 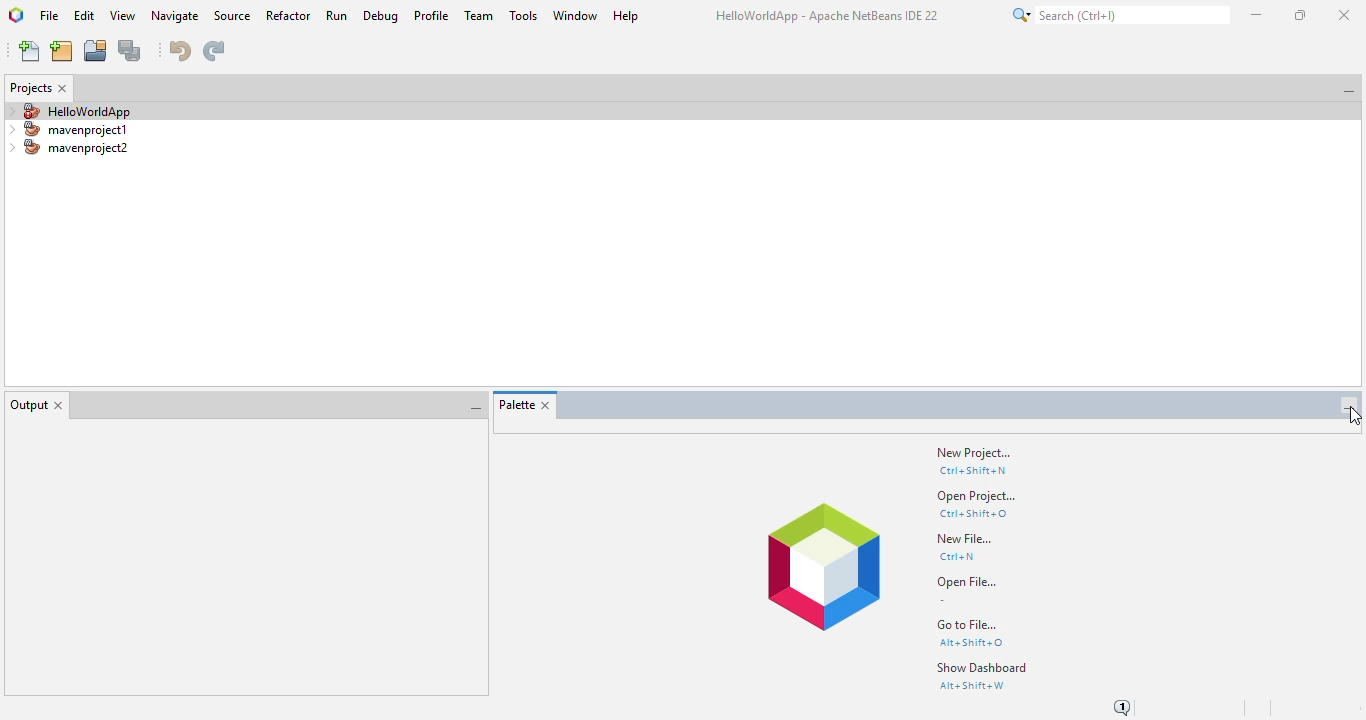 What do you see at coordinates (1344, 15) in the screenshot?
I see `close` at bounding box center [1344, 15].